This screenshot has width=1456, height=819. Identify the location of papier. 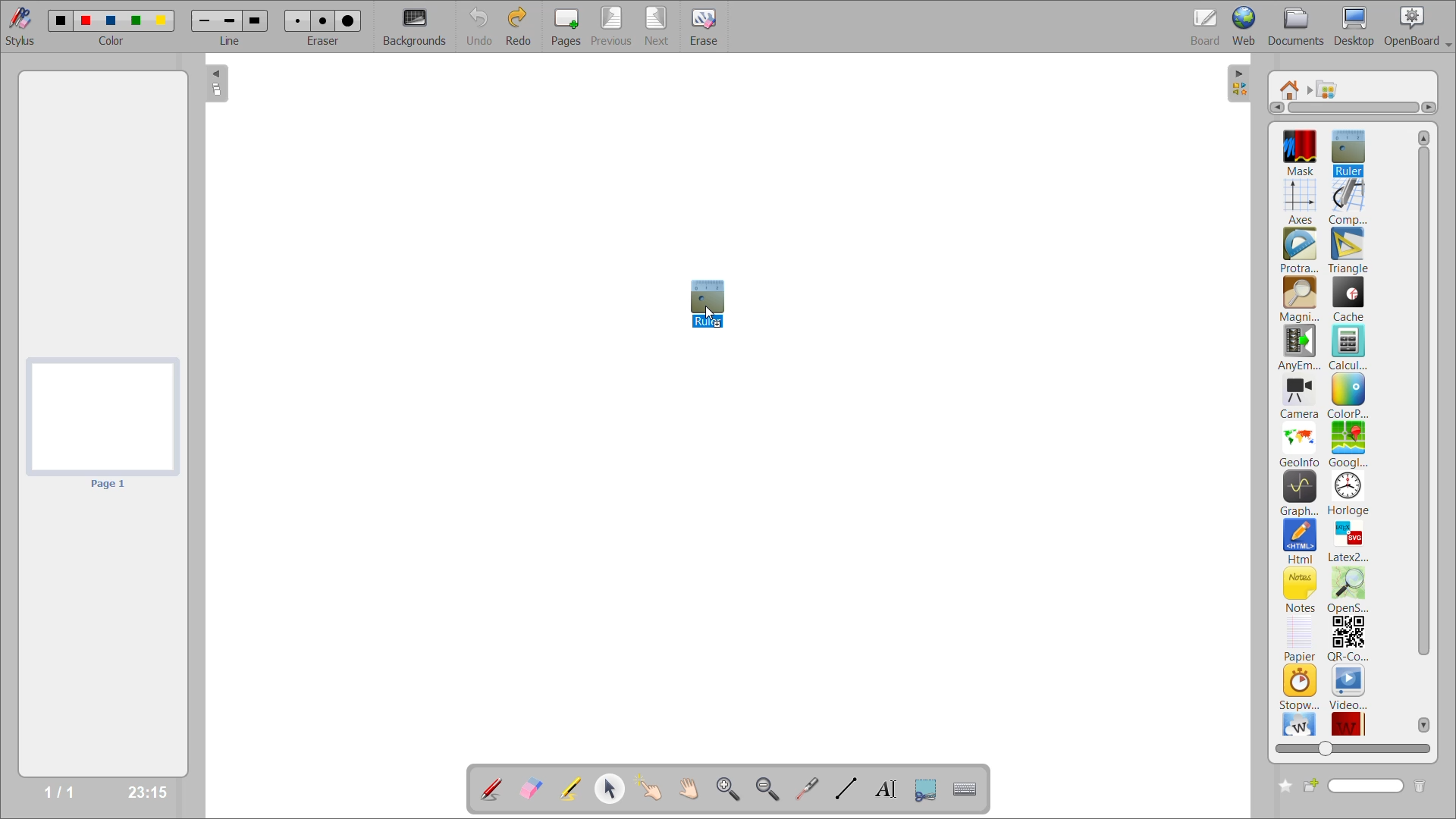
(1299, 639).